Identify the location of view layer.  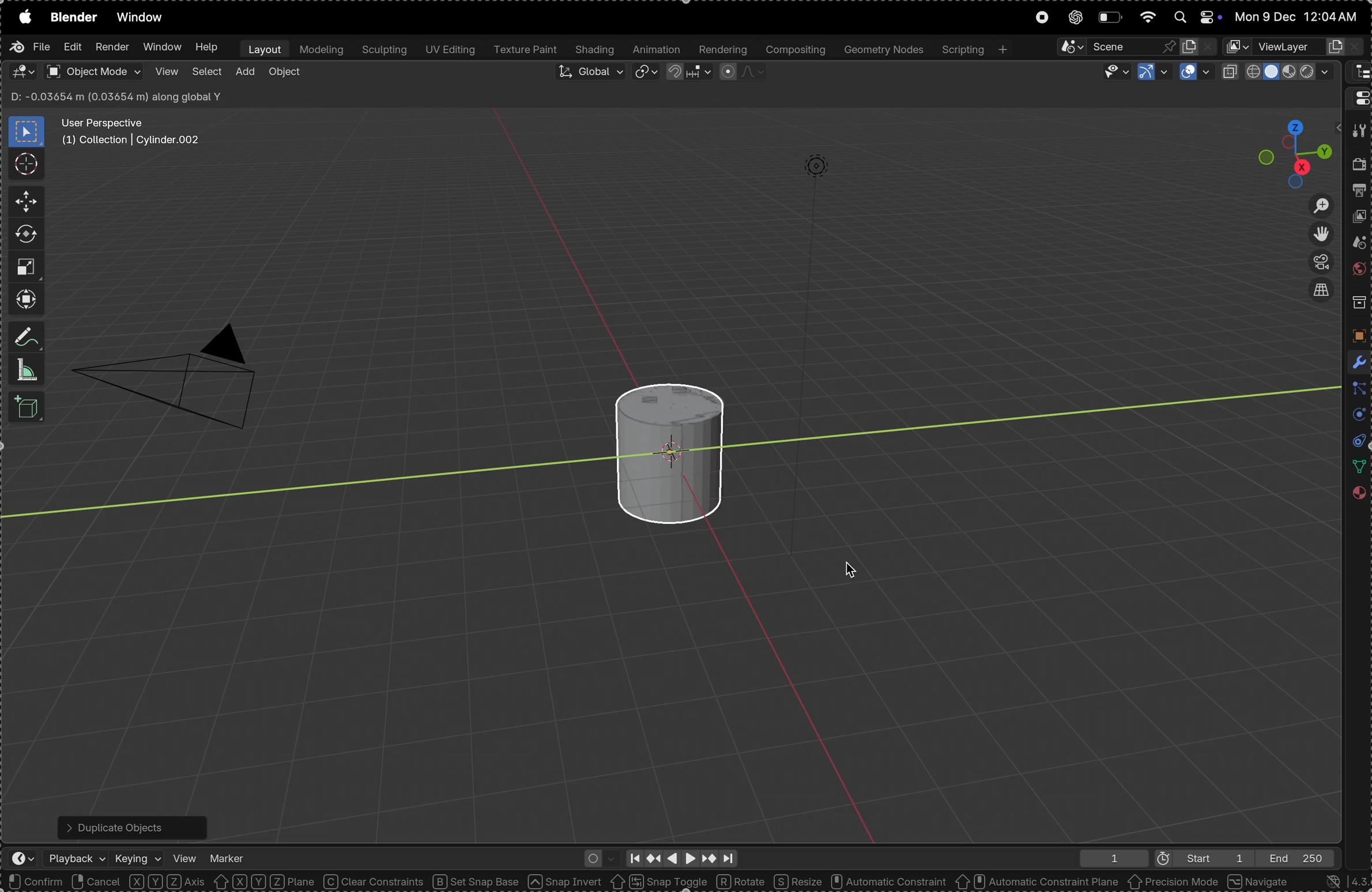
(1360, 219).